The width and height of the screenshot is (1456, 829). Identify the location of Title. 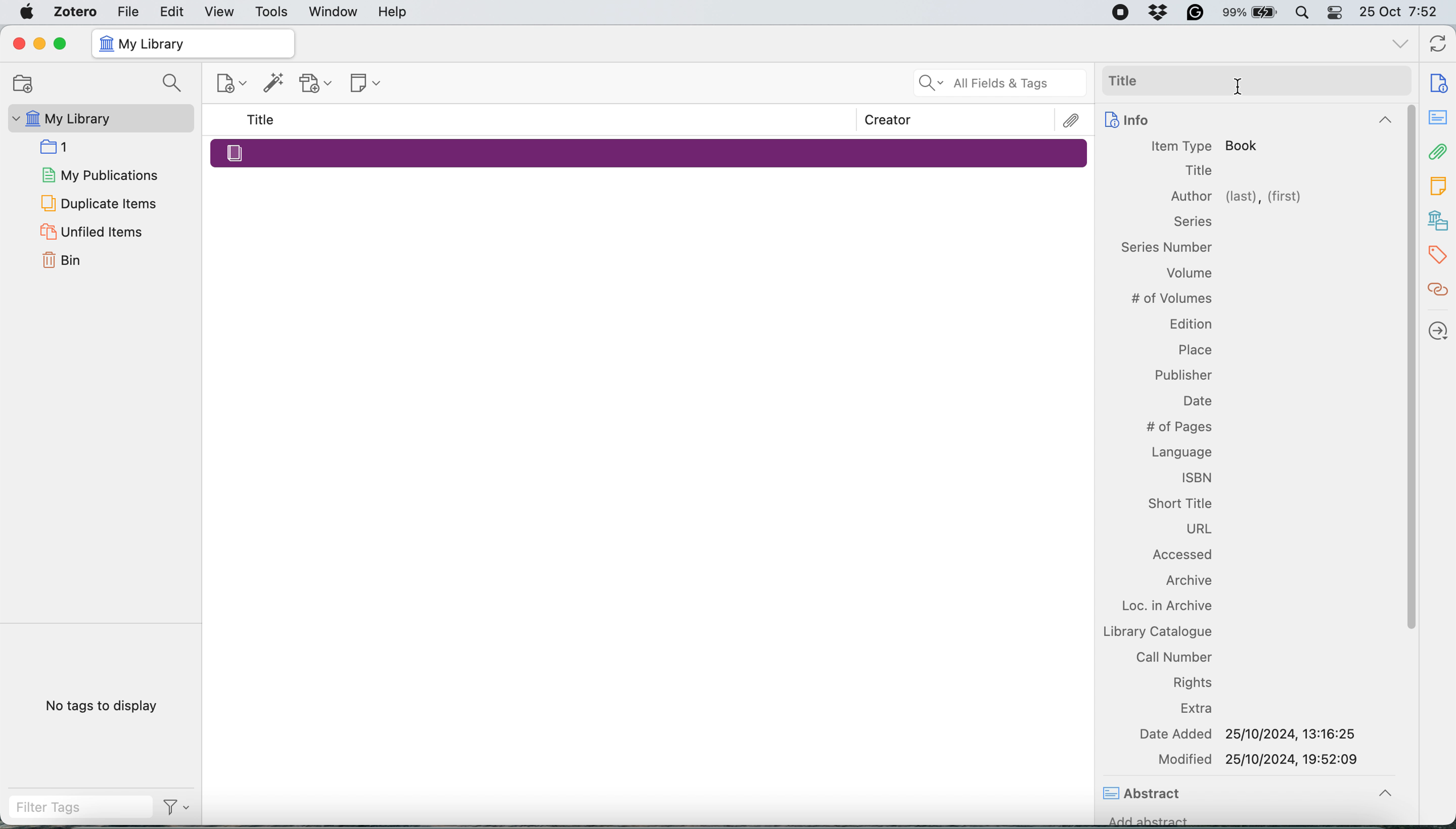
(1199, 171).